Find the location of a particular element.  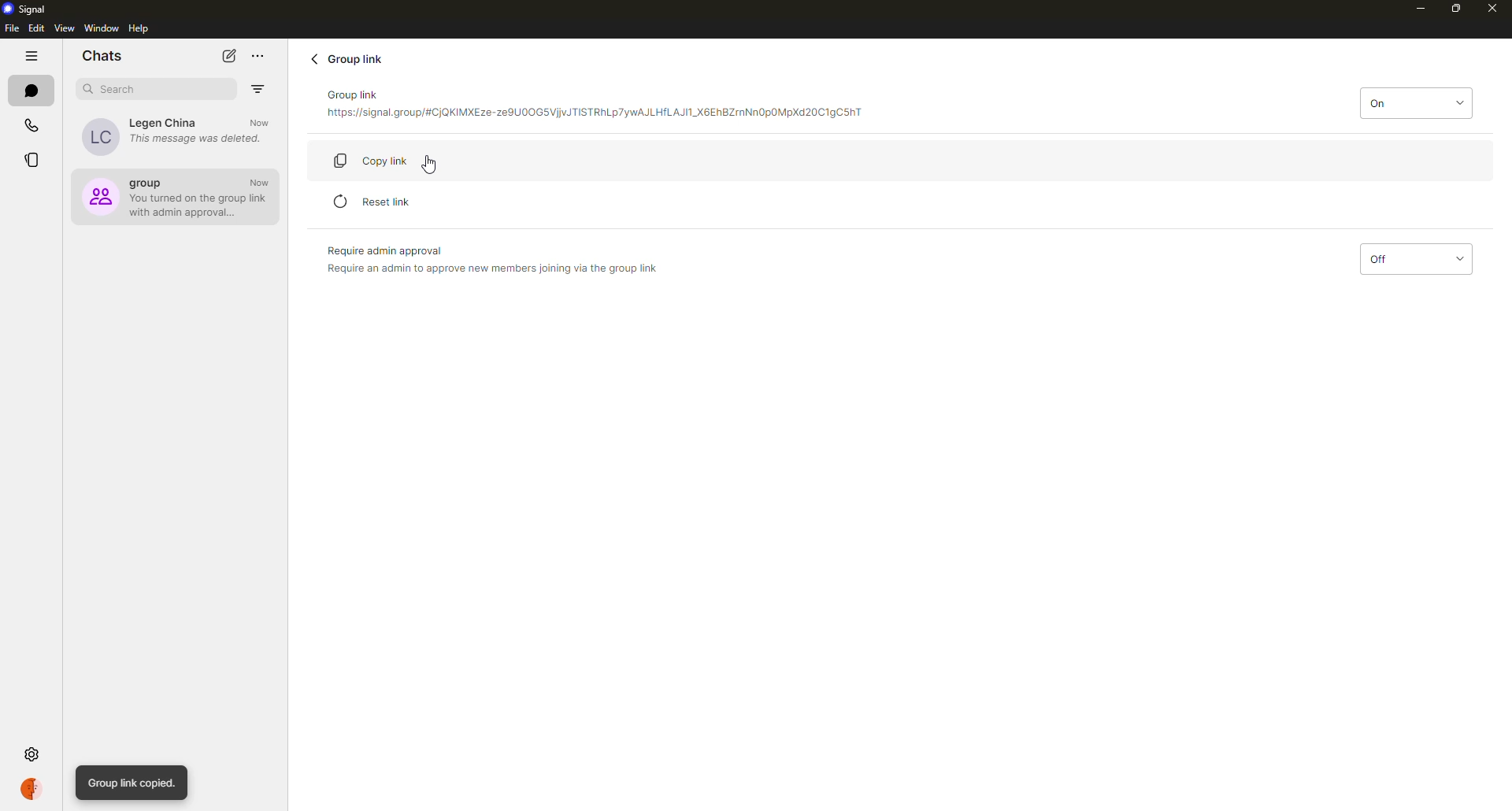

back is located at coordinates (314, 58).